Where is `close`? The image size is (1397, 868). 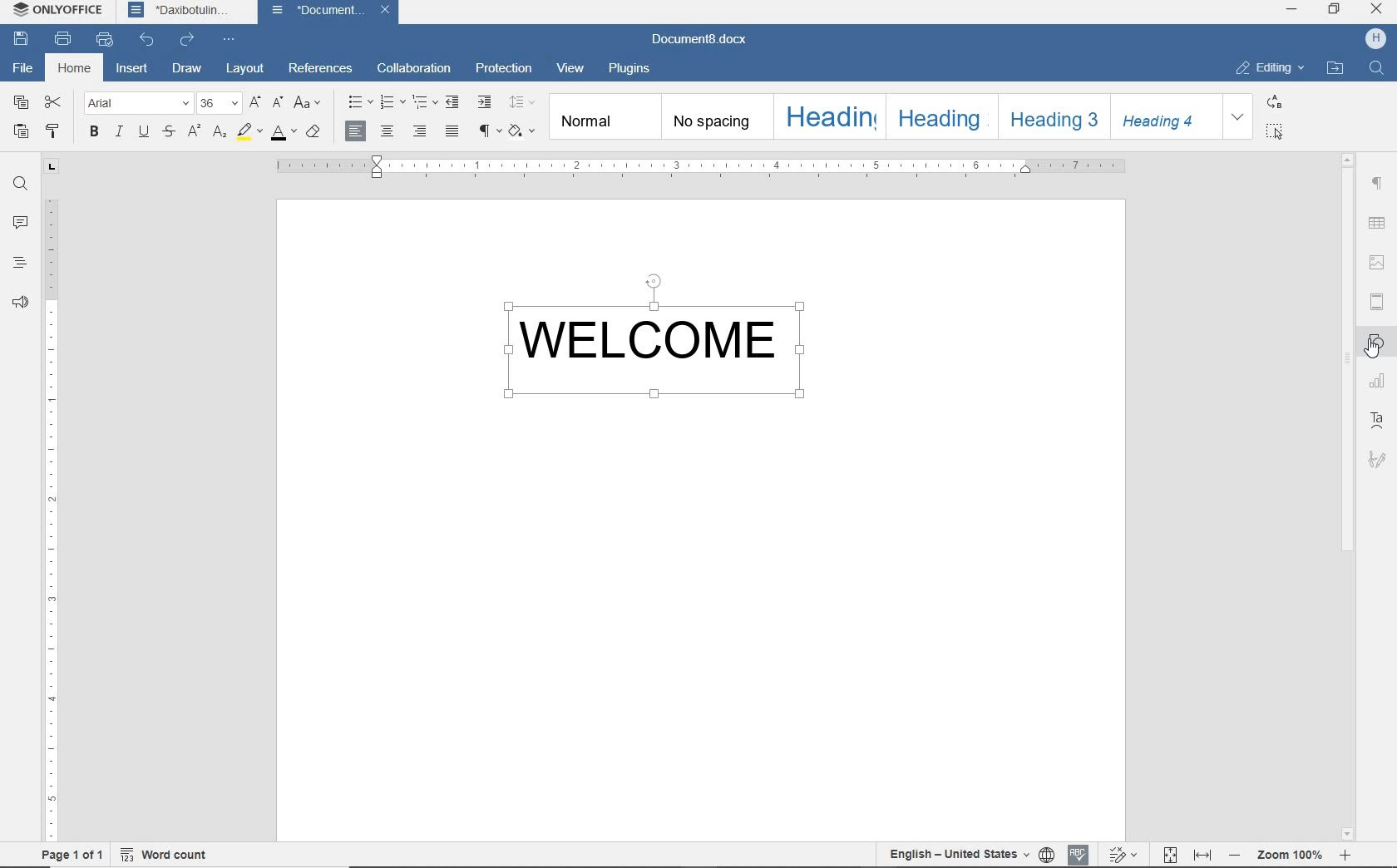 close is located at coordinates (388, 10).